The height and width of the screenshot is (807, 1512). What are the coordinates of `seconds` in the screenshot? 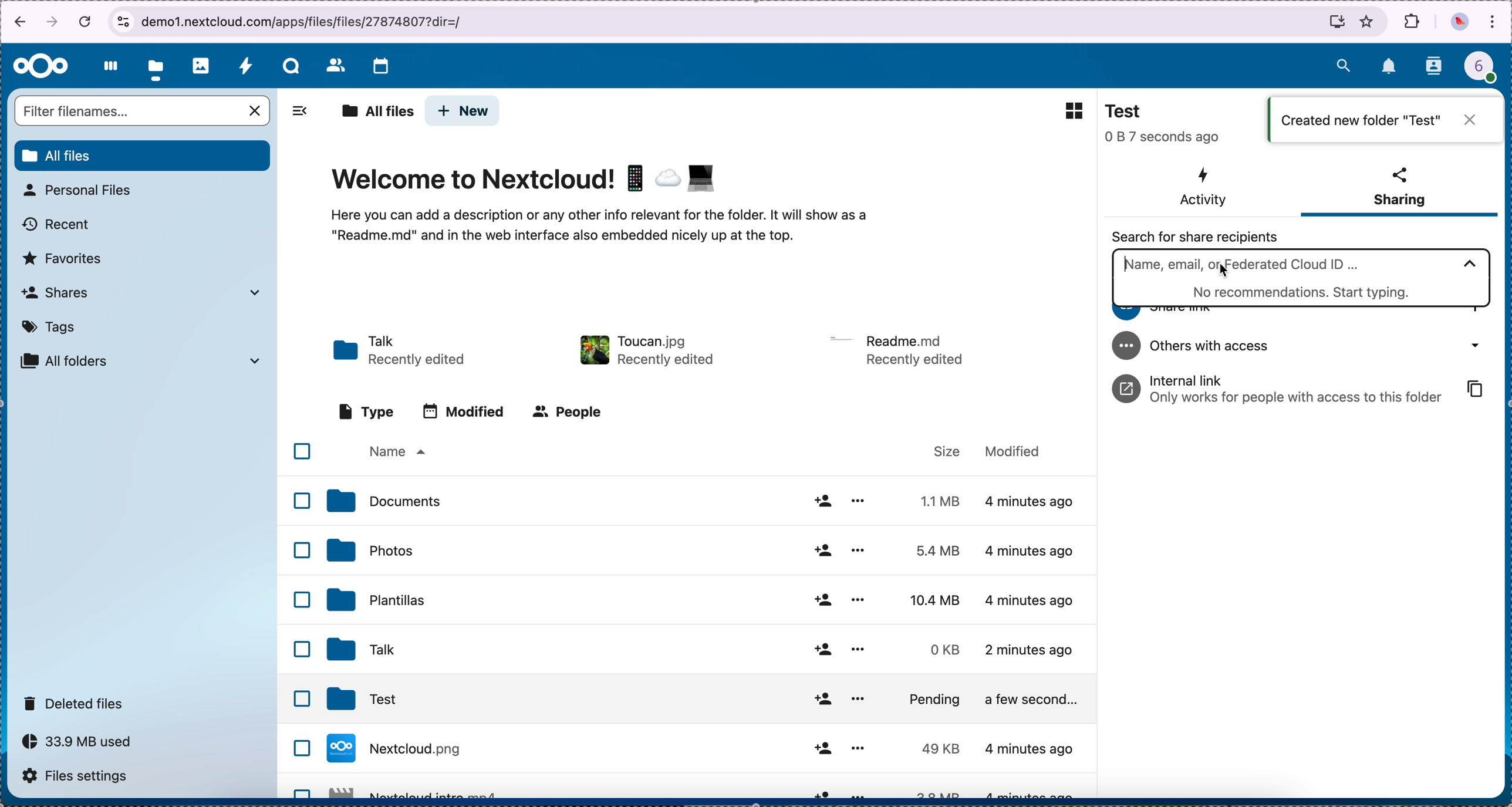 It's located at (1167, 137).